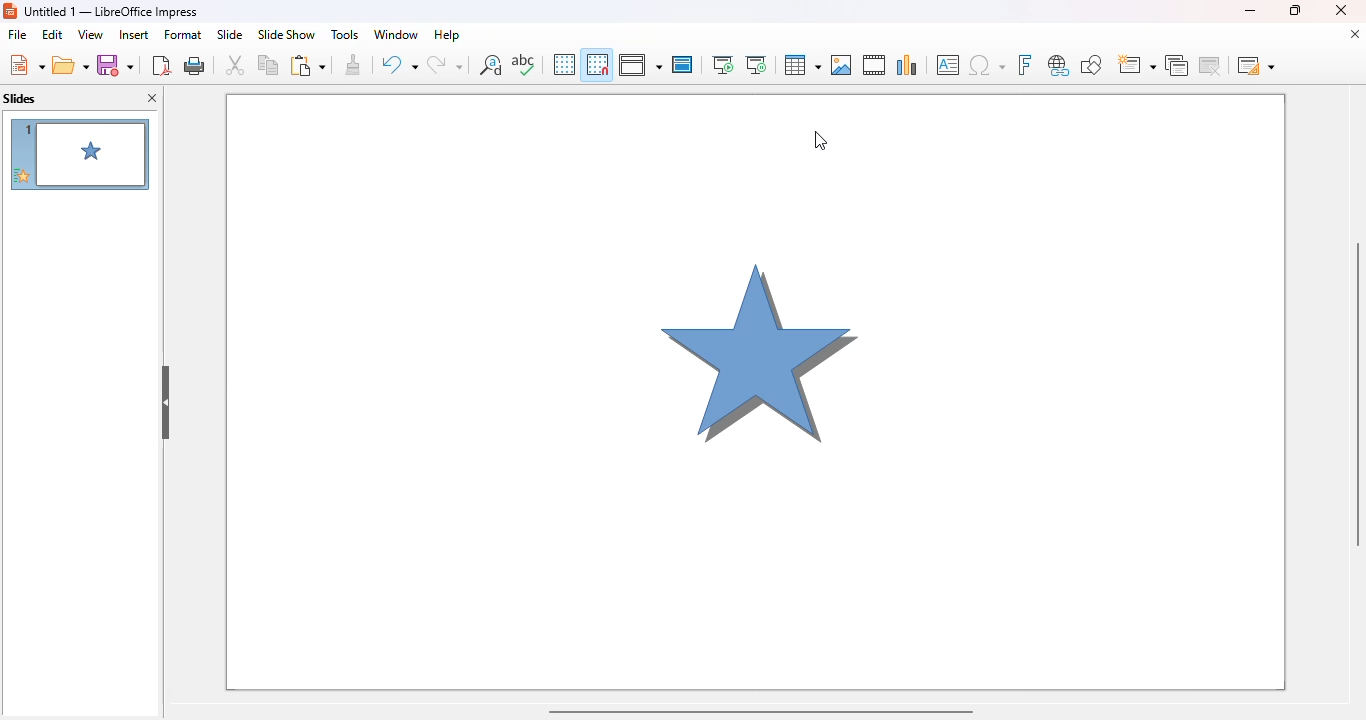  I want to click on tools, so click(345, 35).